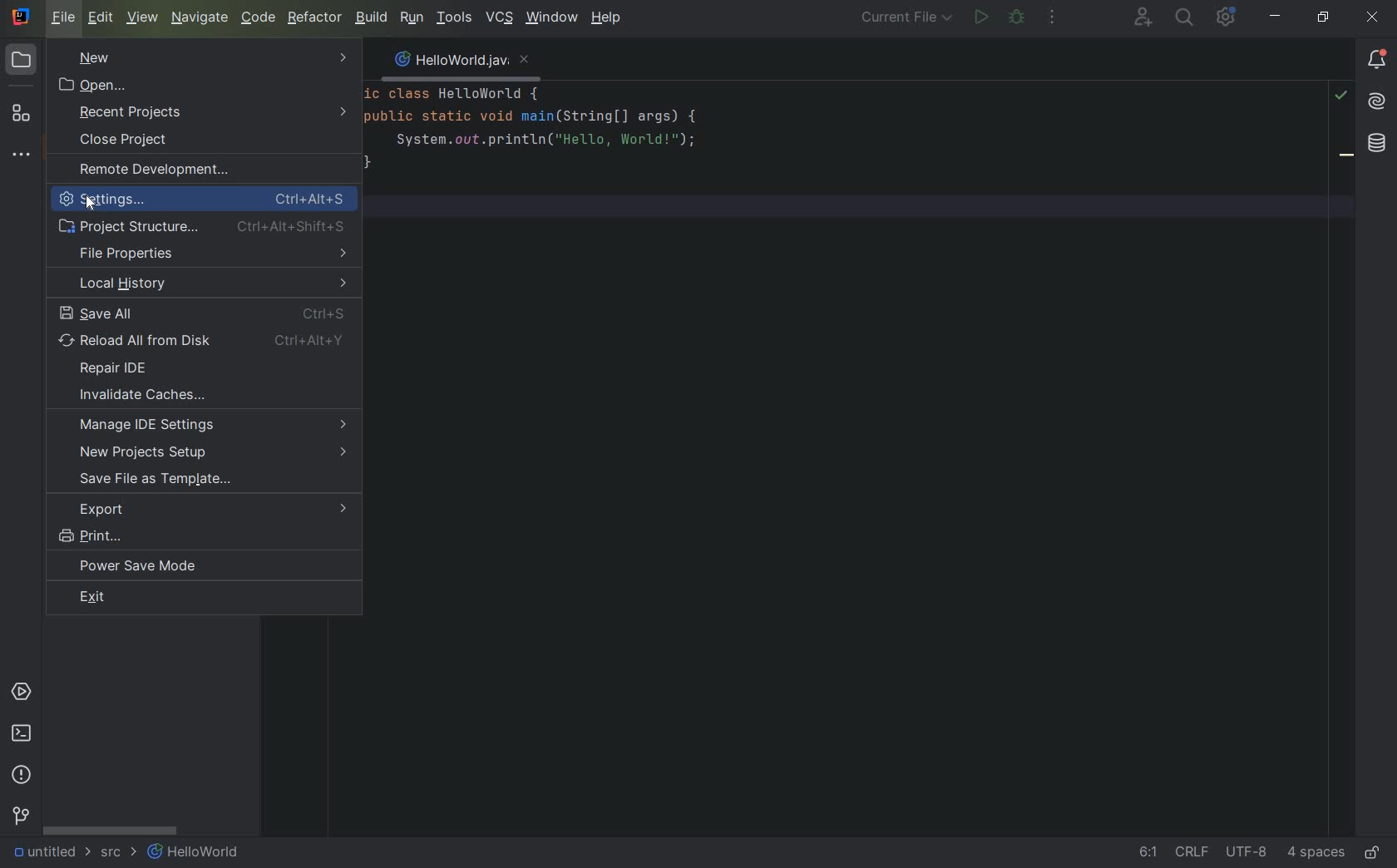 This screenshot has width=1397, height=868. What do you see at coordinates (1375, 102) in the screenshot?
I see `AI assistant` at bounding box center [1375, 102].